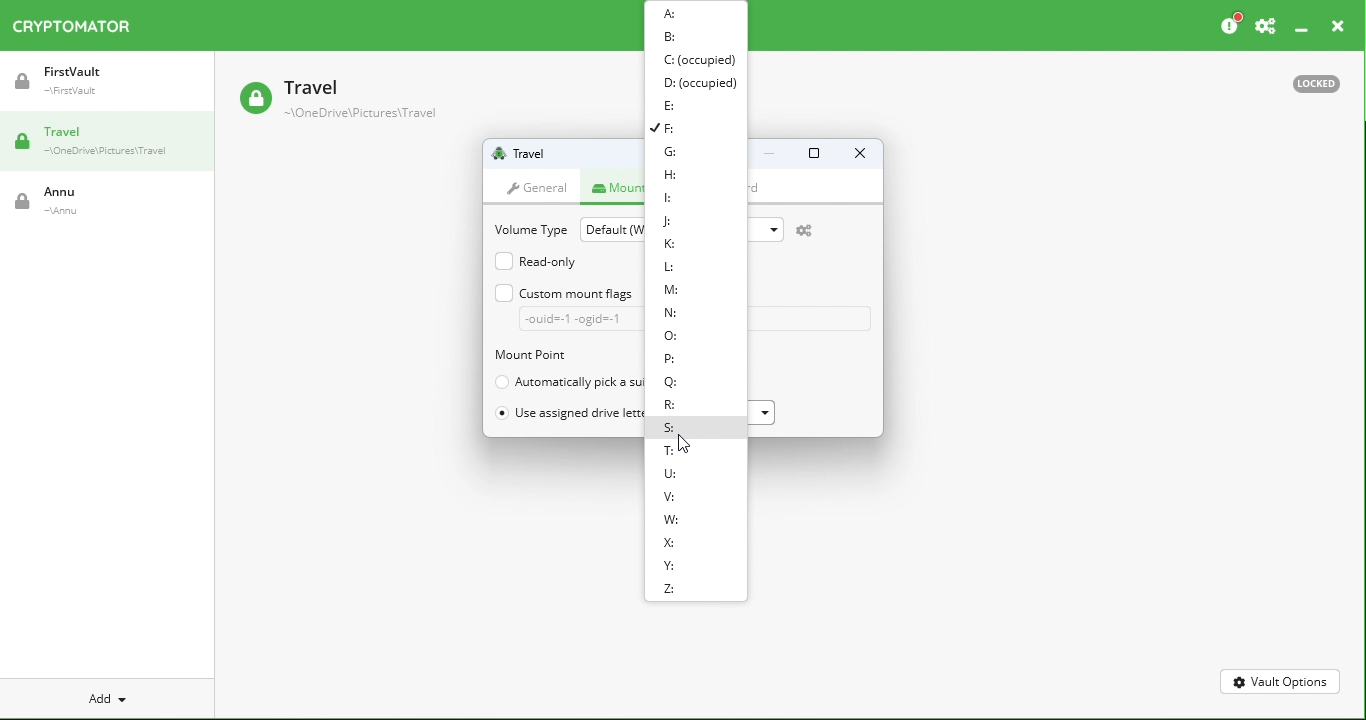 This screenshot has height=720, width=1366. I want to click on Annu, so click(63, 205).